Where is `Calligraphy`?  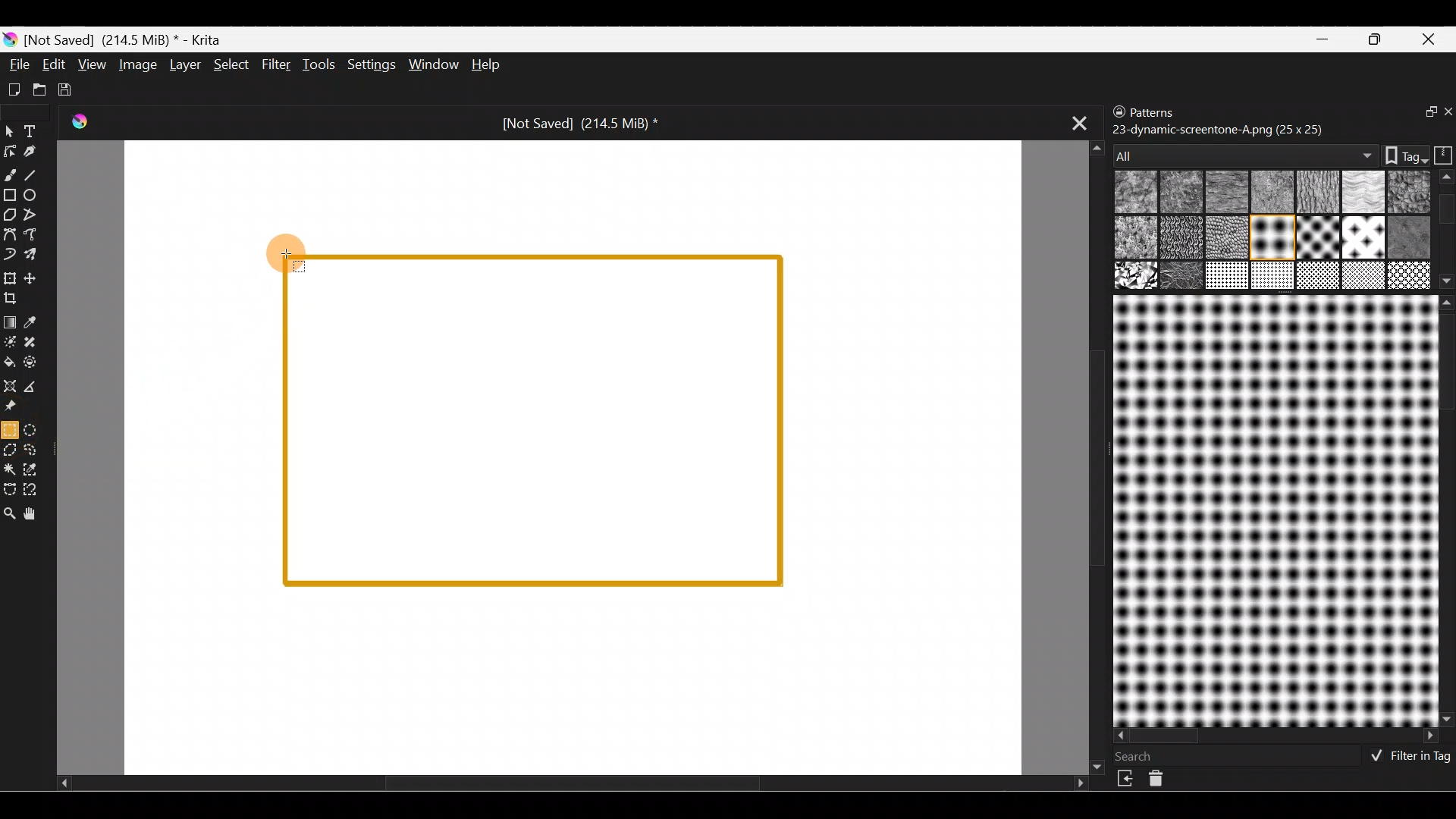 Calligraphy is located at coordinates (33, 151).